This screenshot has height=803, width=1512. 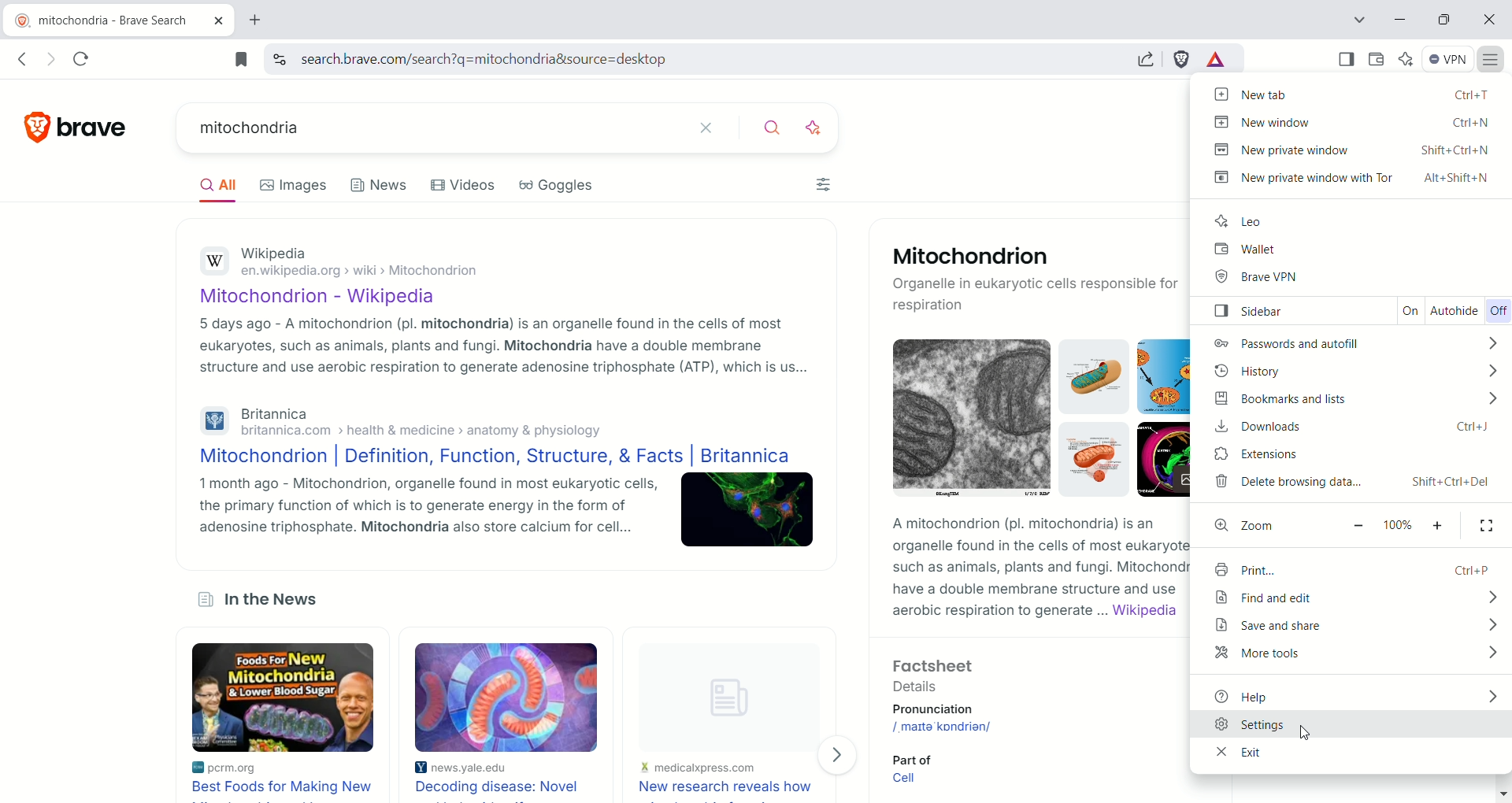 What do you see at coordinates (509, 722) in the screenshot?
I see `decoding disease: novel` at bounding box center [509, 722].